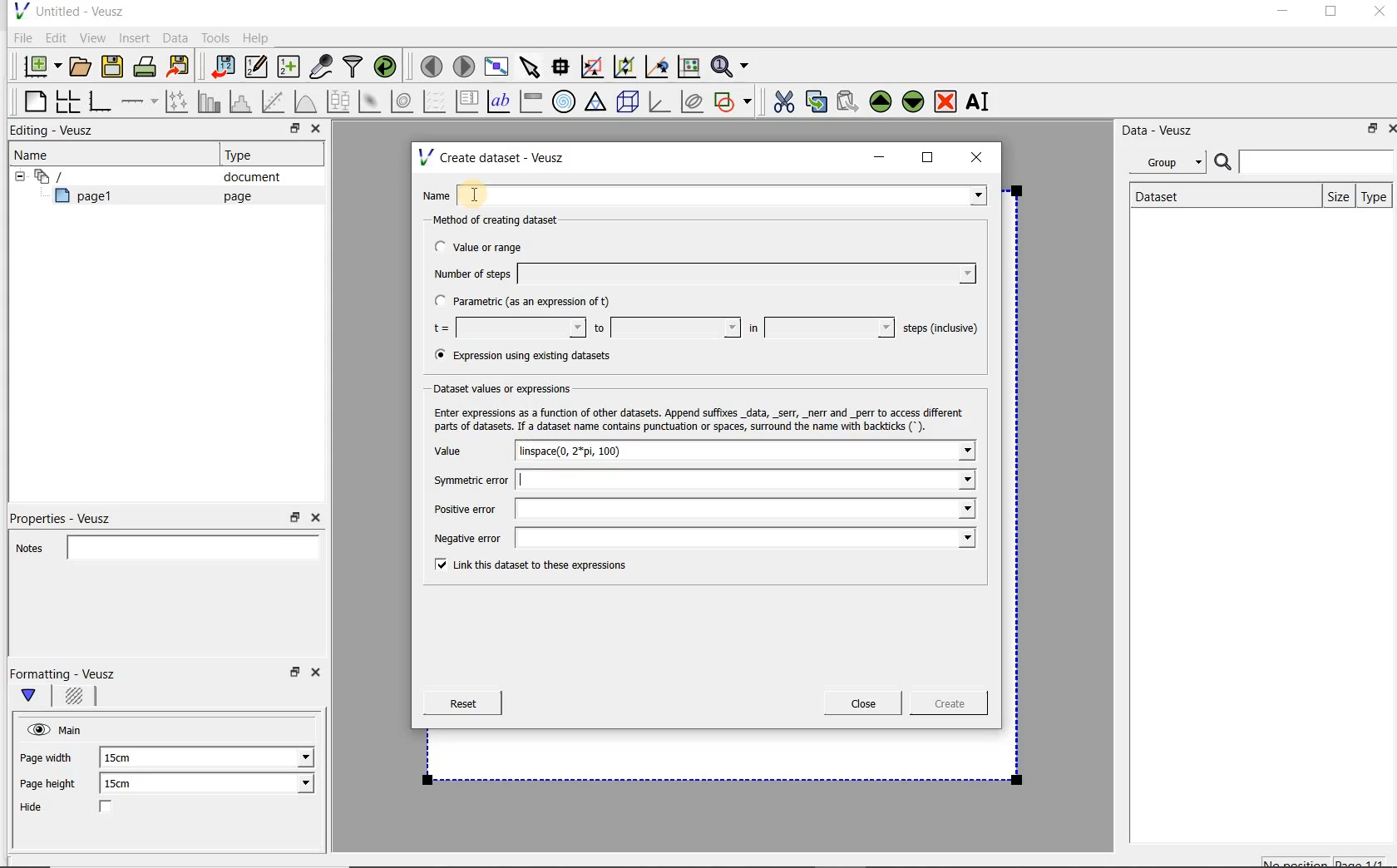 The image size is (1397, 868). Describe the element at coordinates (55, 37) in the screenshot. I see `Edit` at that location.